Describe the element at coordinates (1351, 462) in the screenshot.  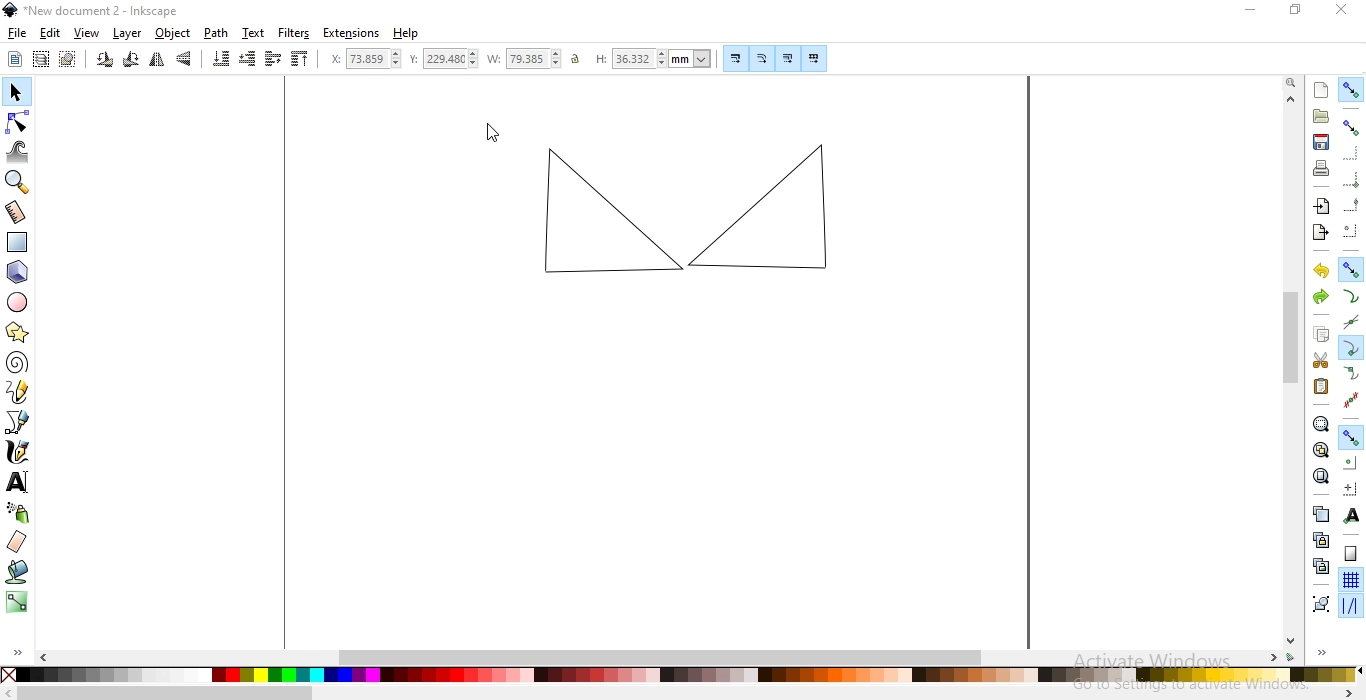
I see `snap centers of objects` at that location.